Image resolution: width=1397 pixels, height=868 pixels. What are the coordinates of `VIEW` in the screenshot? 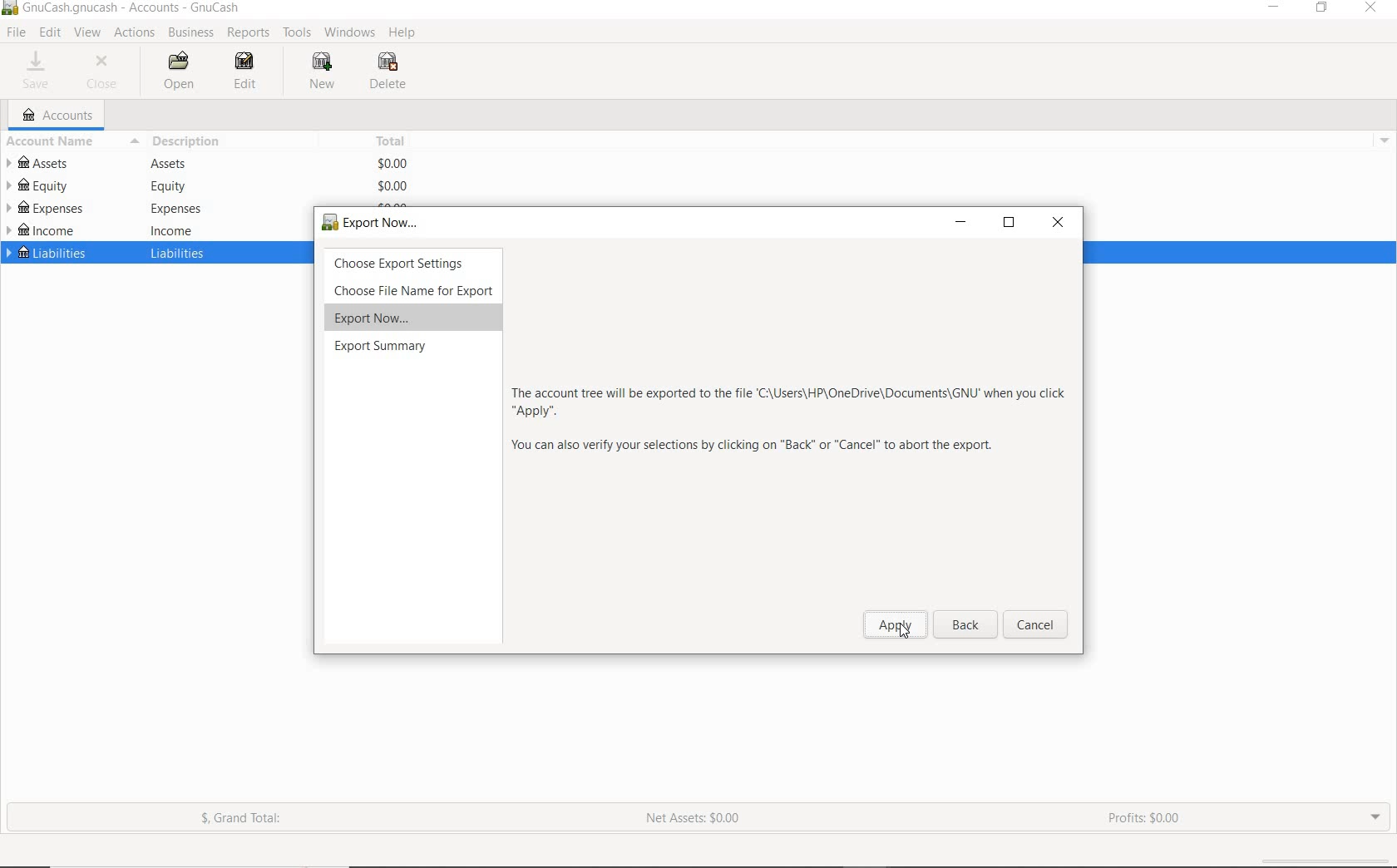 It's located at (90, 32).